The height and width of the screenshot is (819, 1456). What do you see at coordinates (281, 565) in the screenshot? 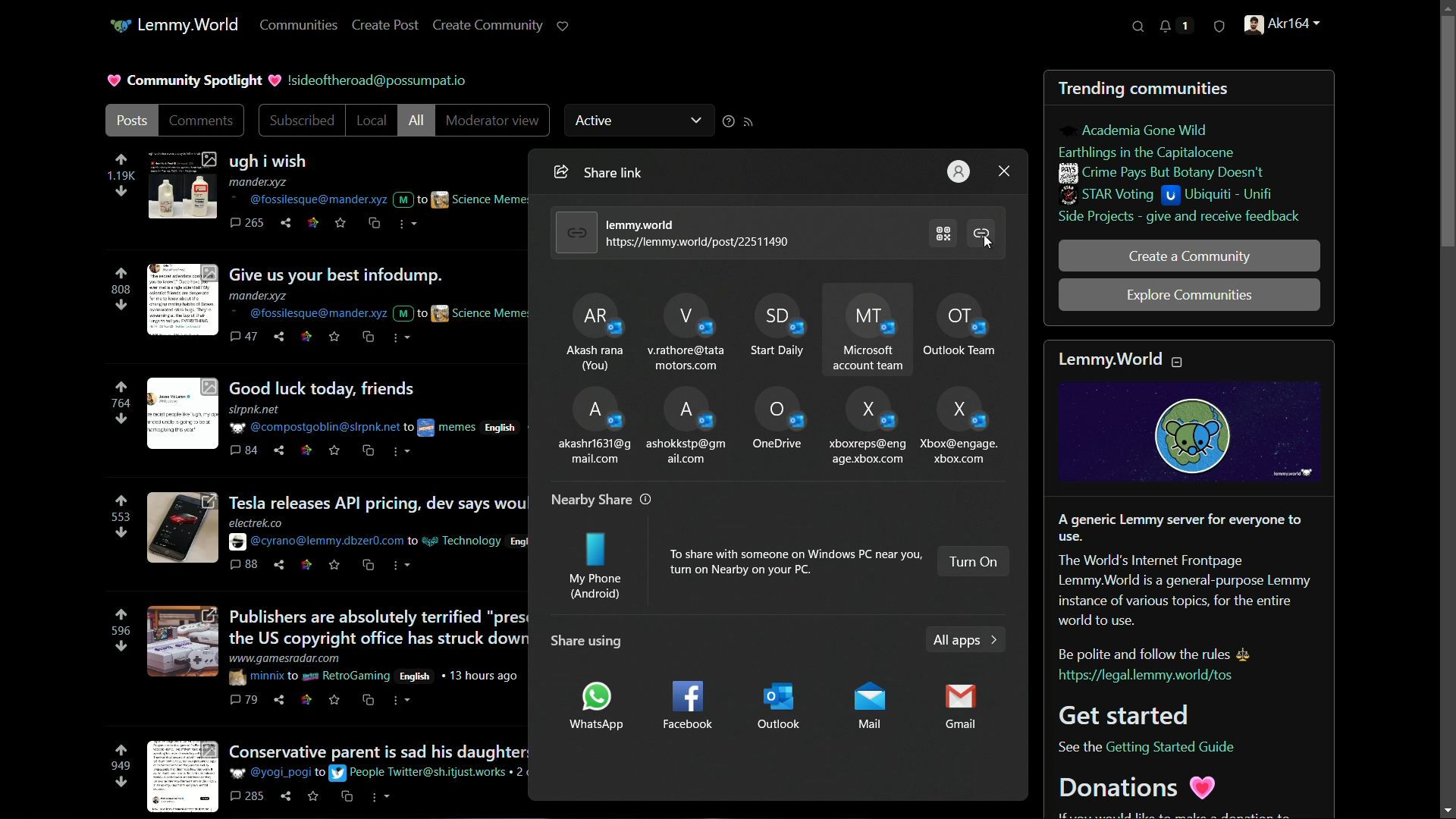
I see `share` at bounding box center [281, 565].